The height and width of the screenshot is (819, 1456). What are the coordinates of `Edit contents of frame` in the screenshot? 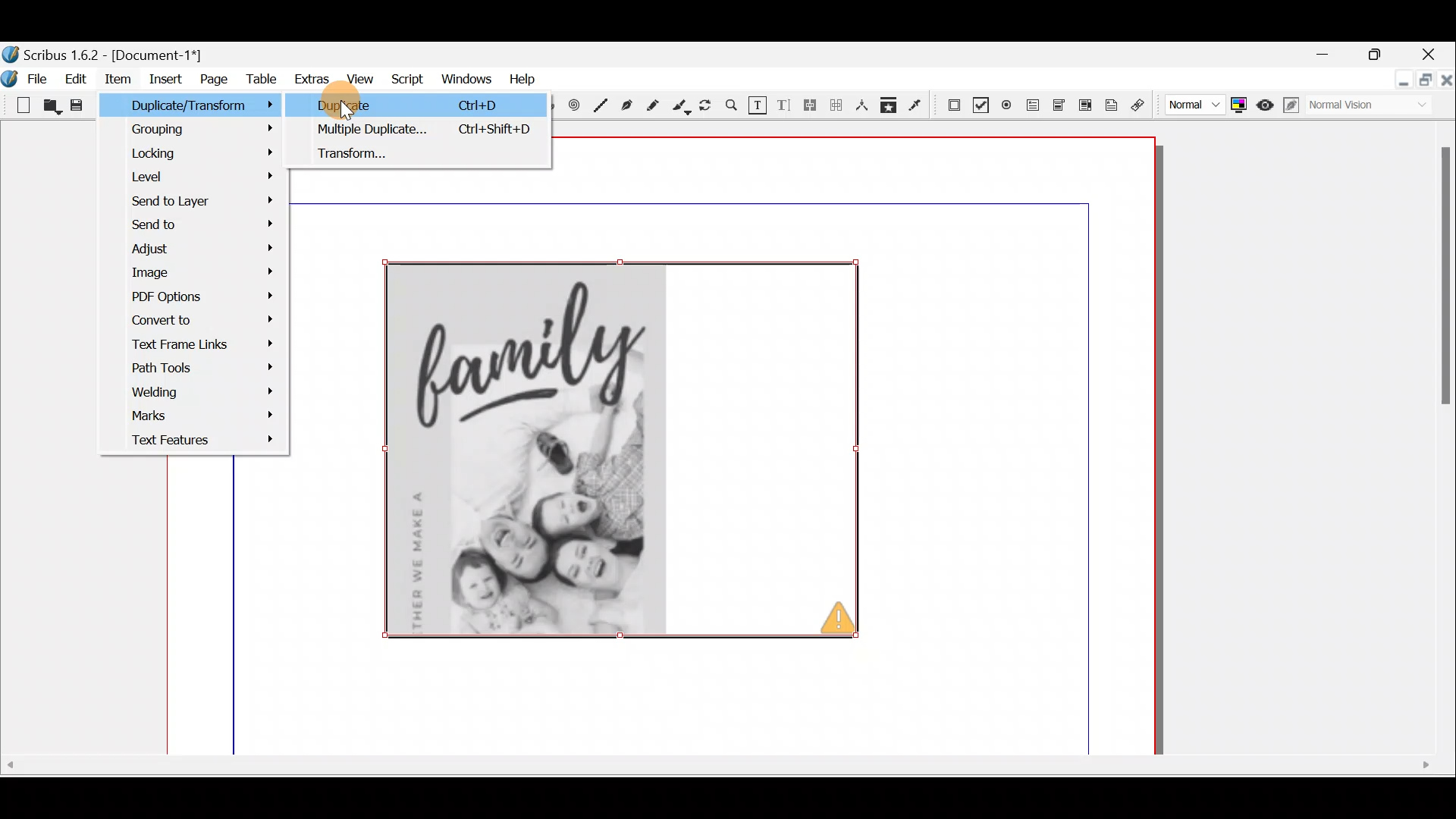 It's located at (758, 105).